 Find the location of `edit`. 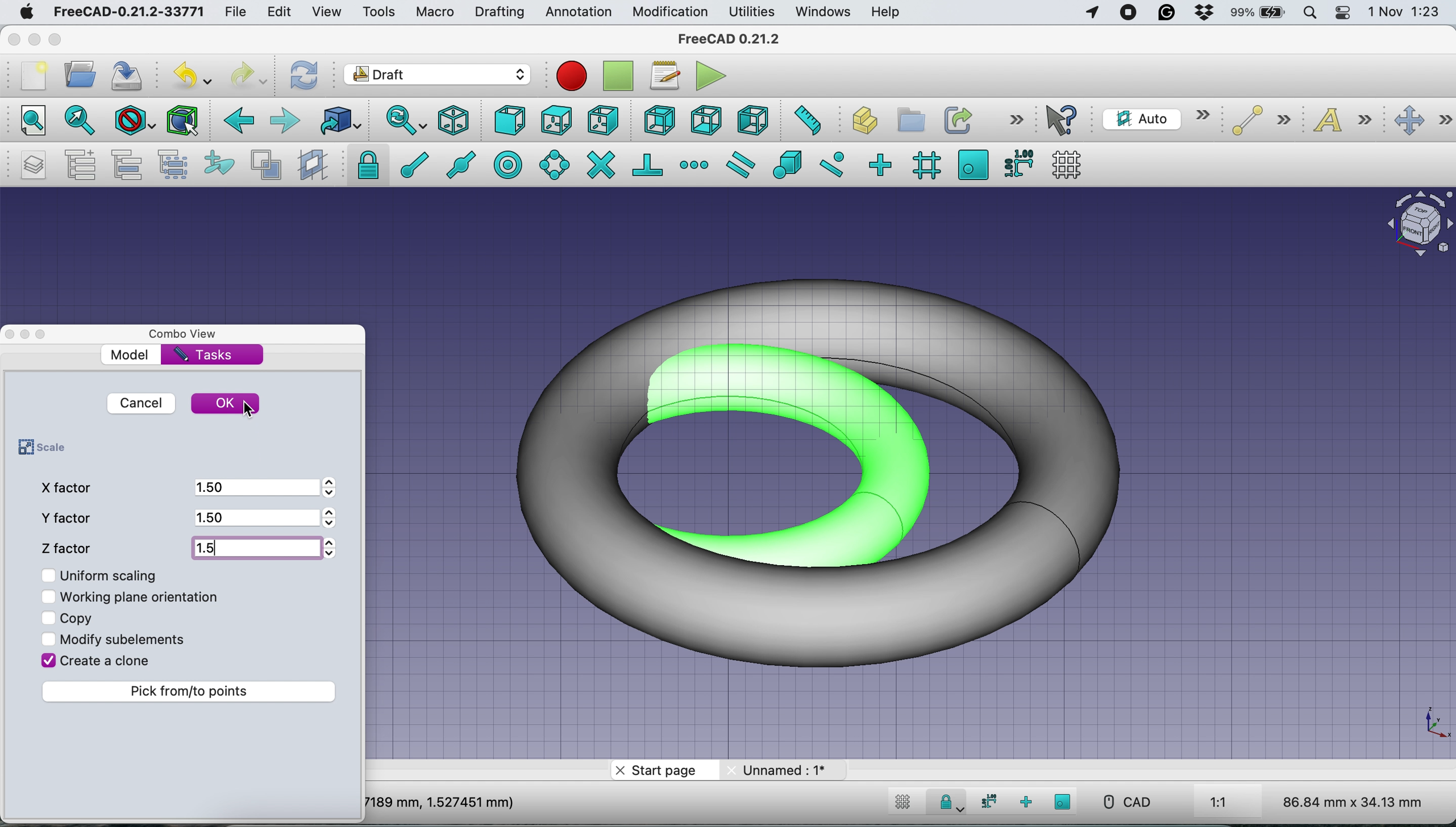

edit is located at coordinates (281, 12).